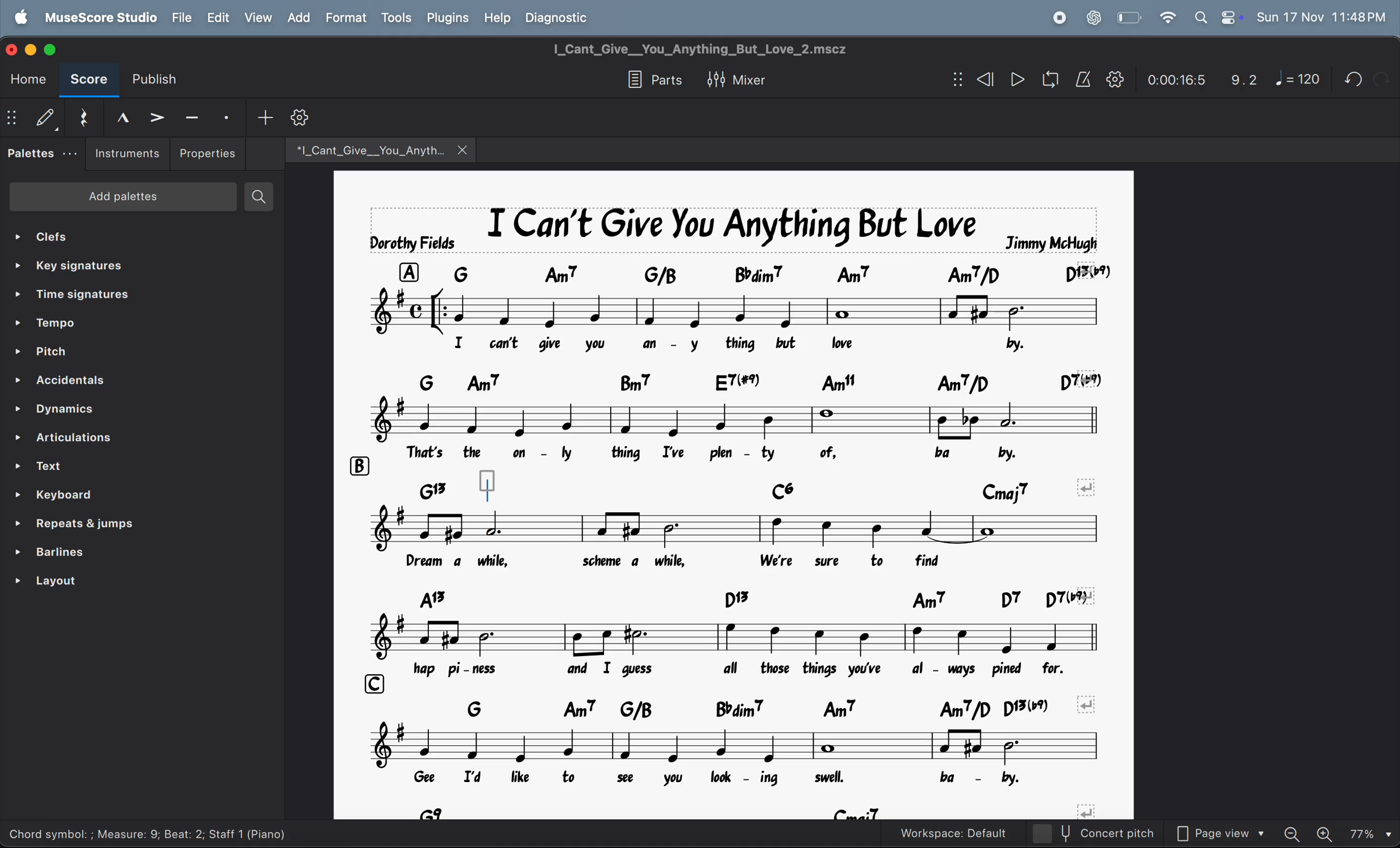  Describe the element at coordinates (127, 297) in the screenshot. I see `time signatures` at that location.